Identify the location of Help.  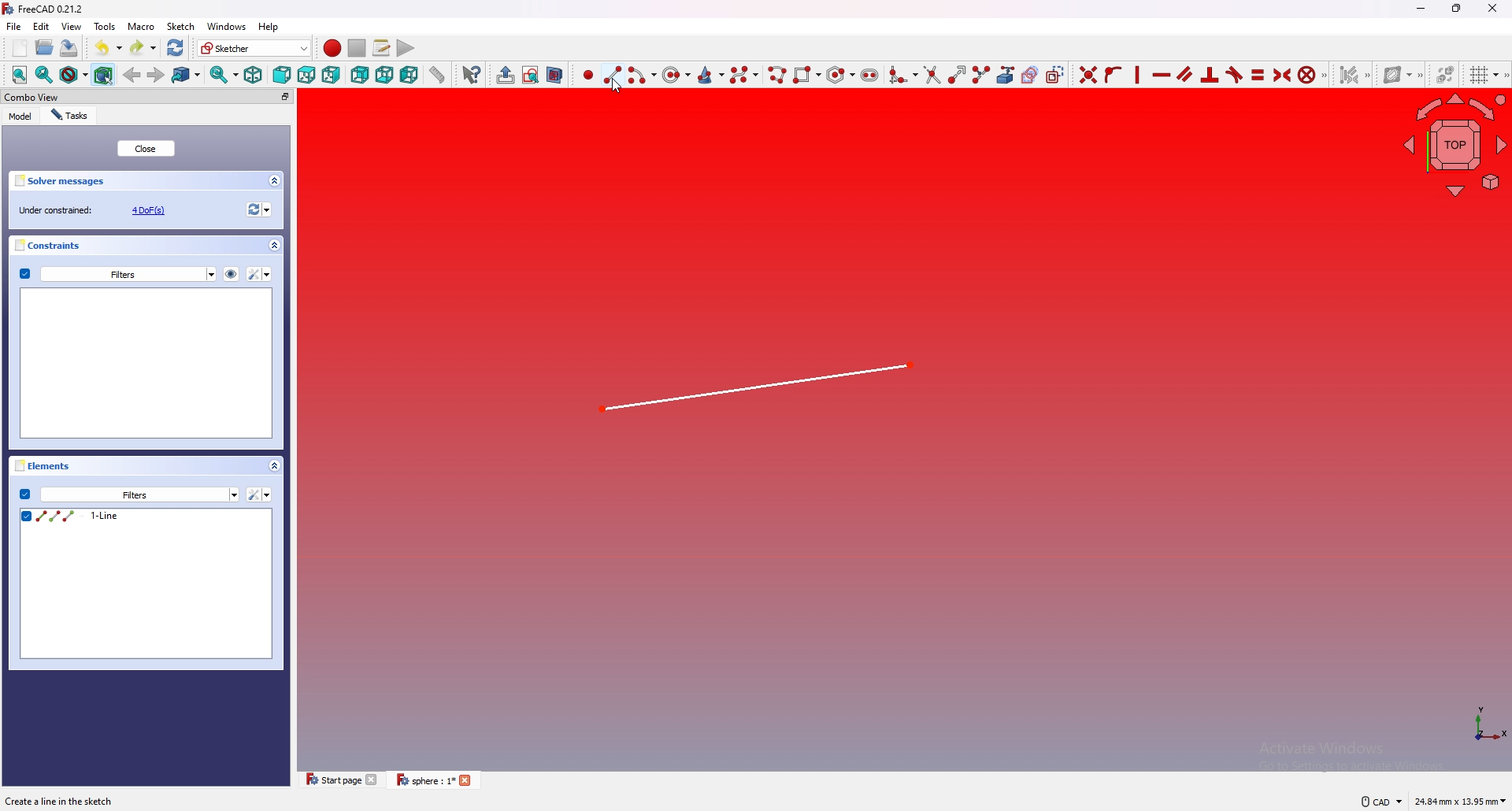
(269, 27).